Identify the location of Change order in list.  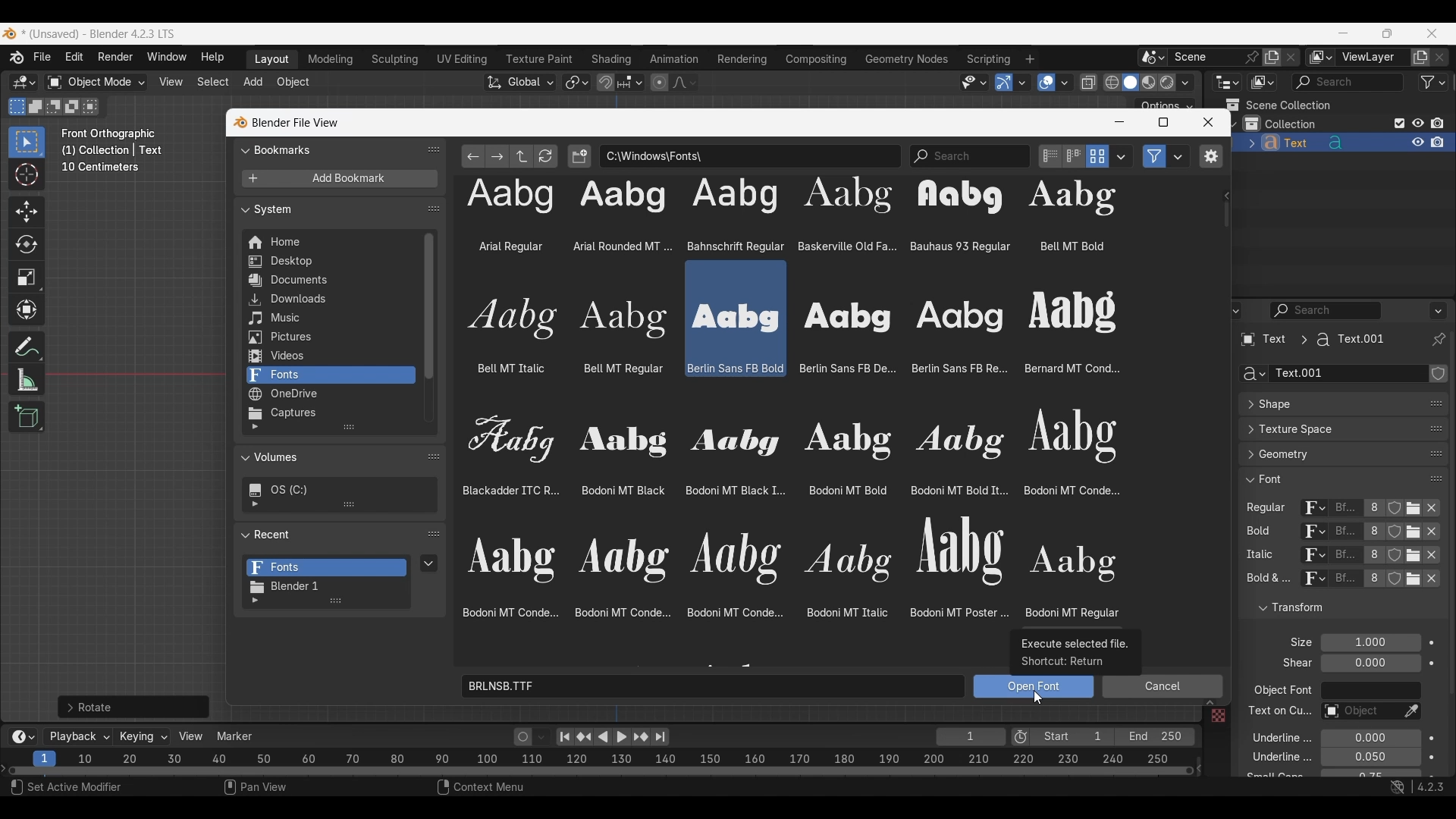
(434, 456).